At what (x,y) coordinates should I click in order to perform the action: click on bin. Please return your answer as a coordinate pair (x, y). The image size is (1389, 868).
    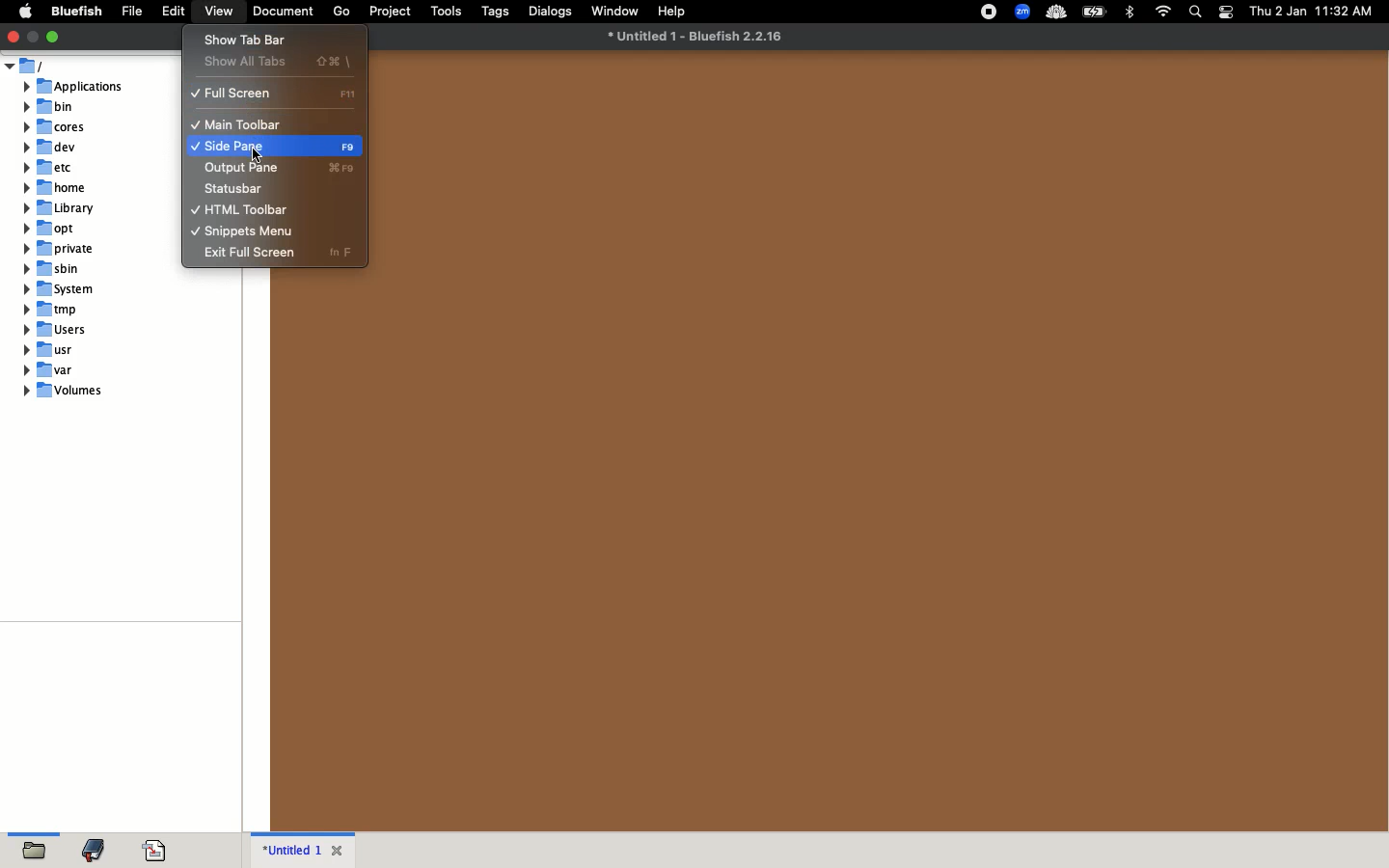
    Looking at the image, I should click on (50, 107).